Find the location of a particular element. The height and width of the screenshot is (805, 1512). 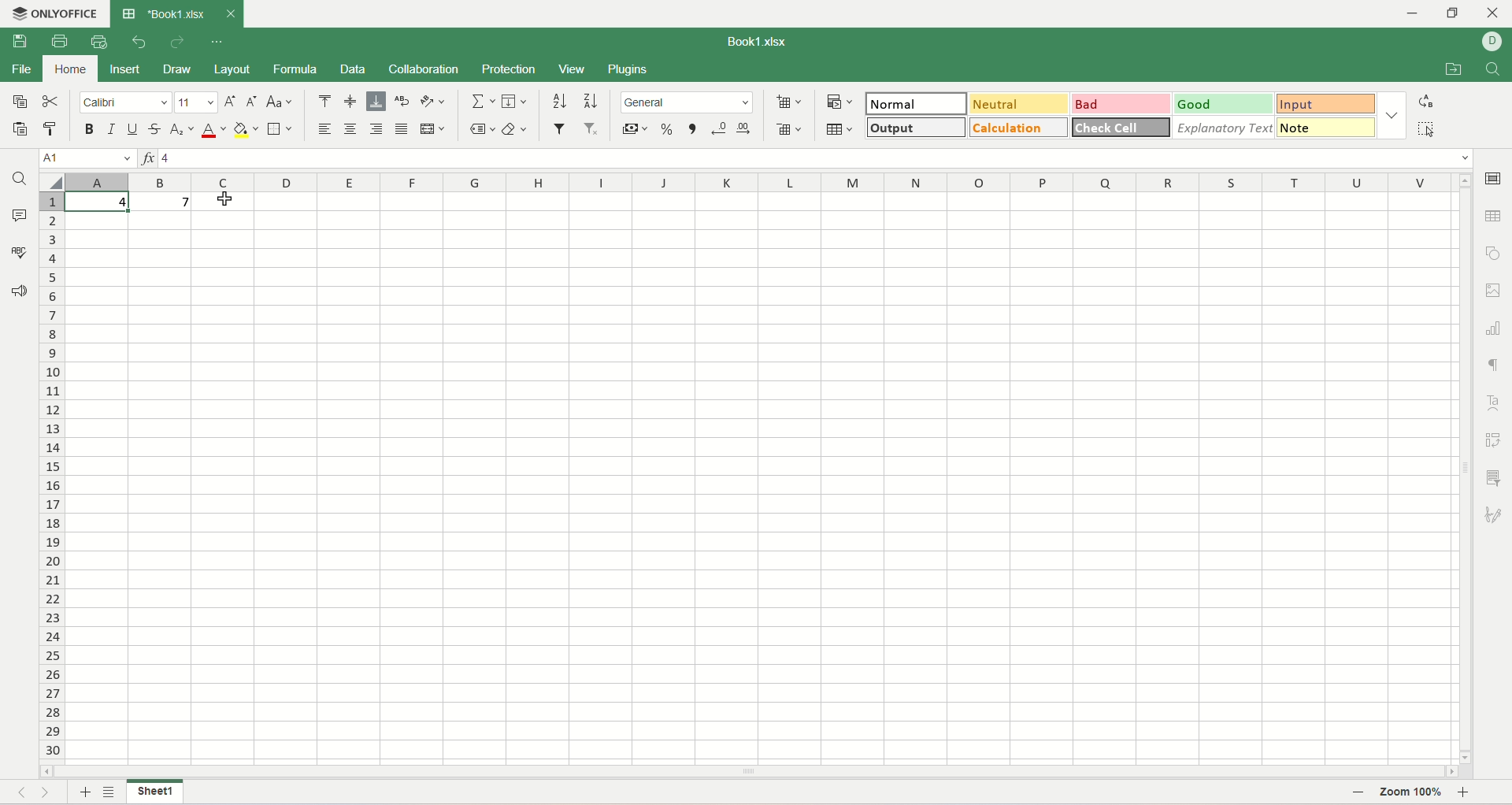

find is located at coordinates (20, 178).